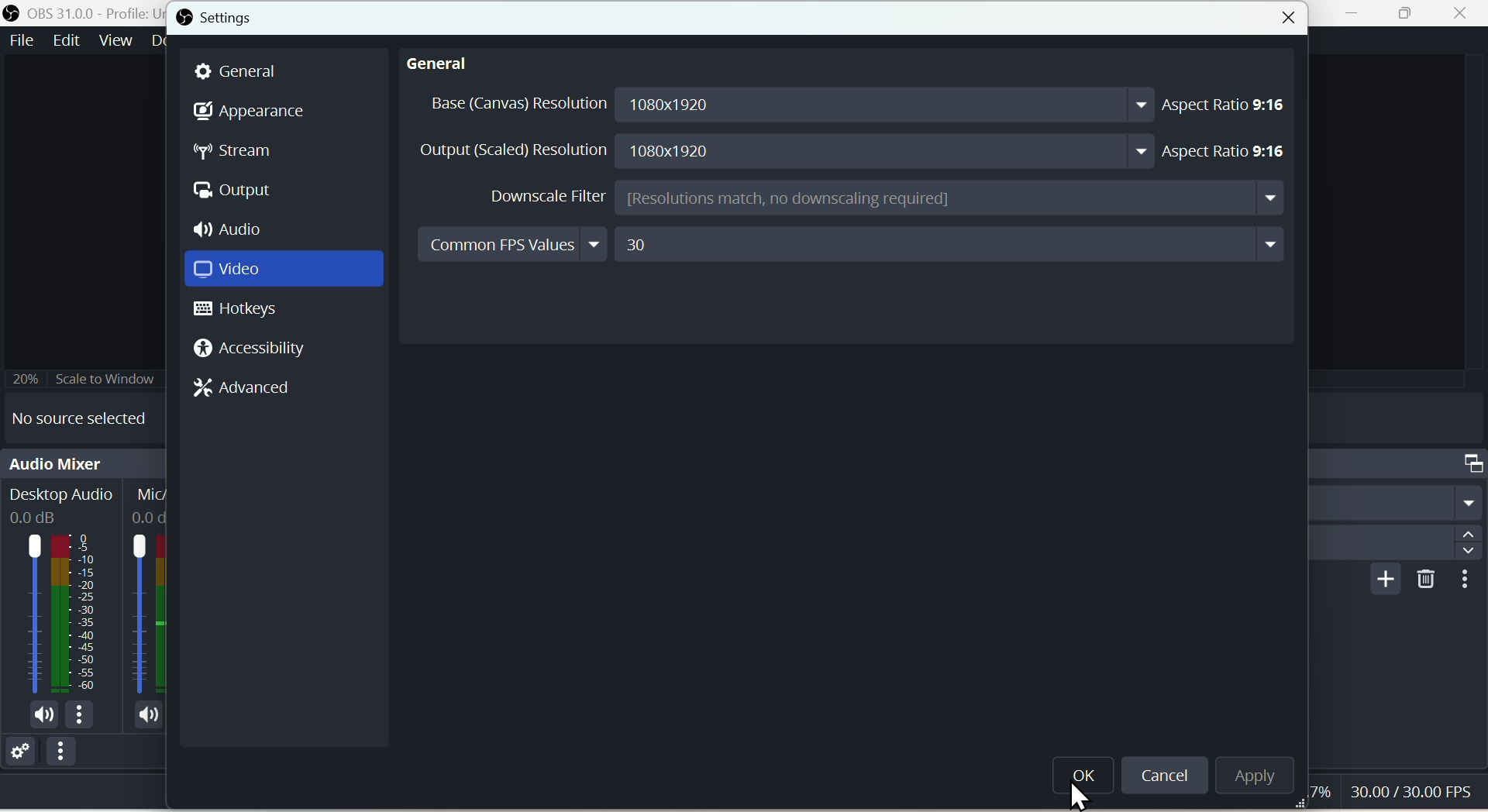 This screenshot has width=1488, height=812. Describe the element at coordinates (66, 40) in the screenshot. I see `Edit` at that location.